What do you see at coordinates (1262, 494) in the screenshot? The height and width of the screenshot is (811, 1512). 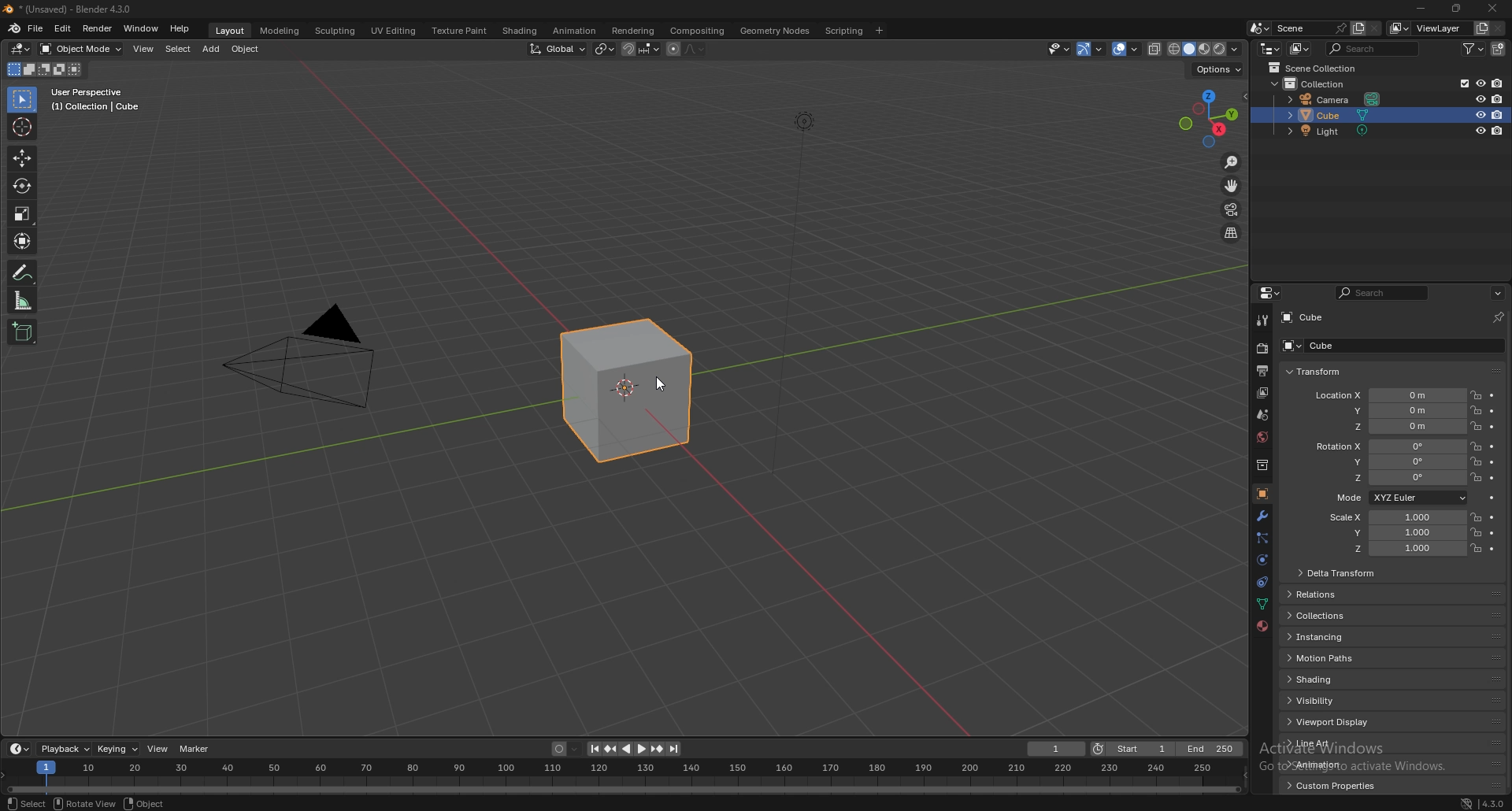 I see `object` at bounding box center [1262, 494].